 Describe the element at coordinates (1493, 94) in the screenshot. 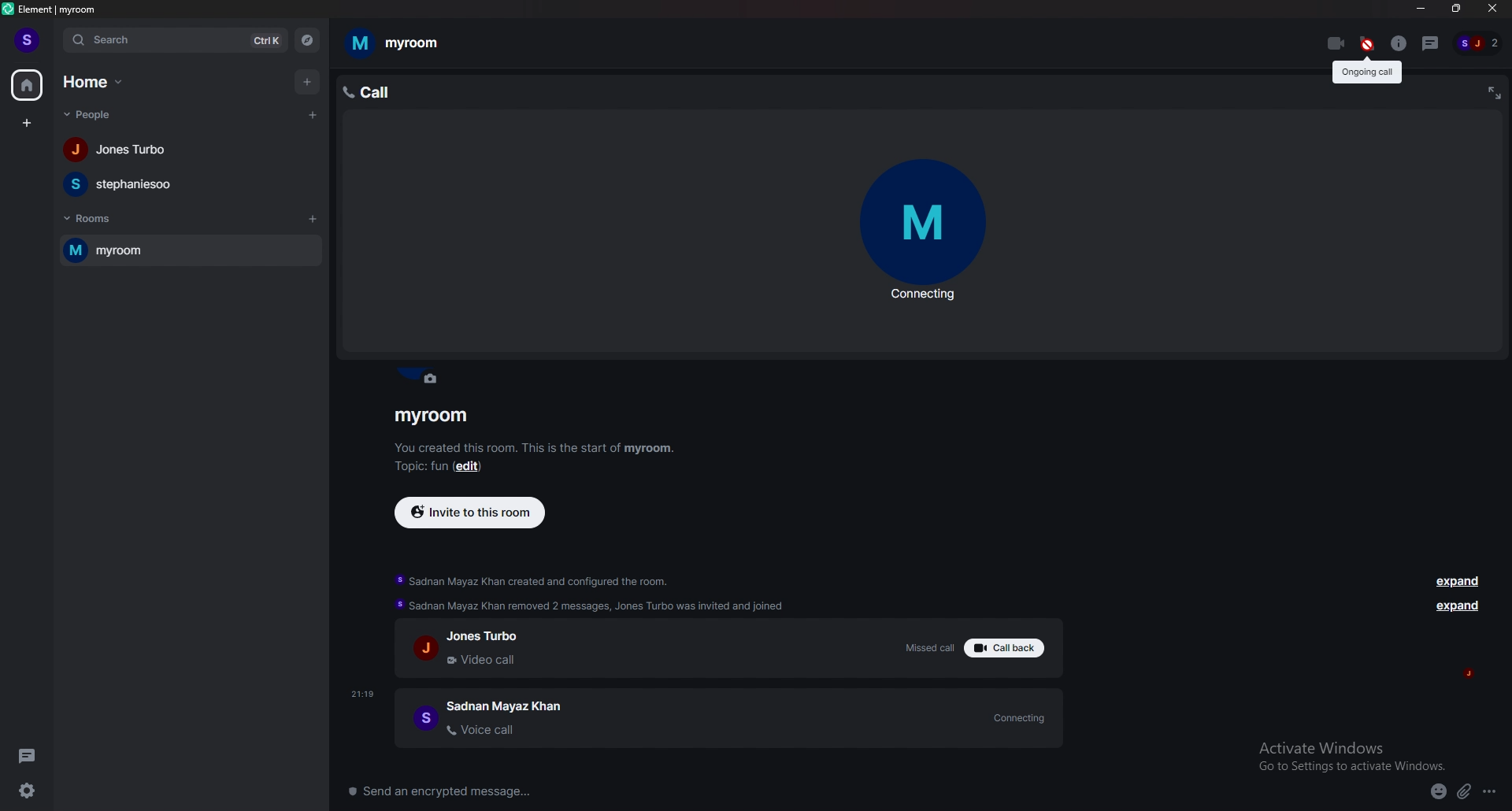

I see `expand` at that location.